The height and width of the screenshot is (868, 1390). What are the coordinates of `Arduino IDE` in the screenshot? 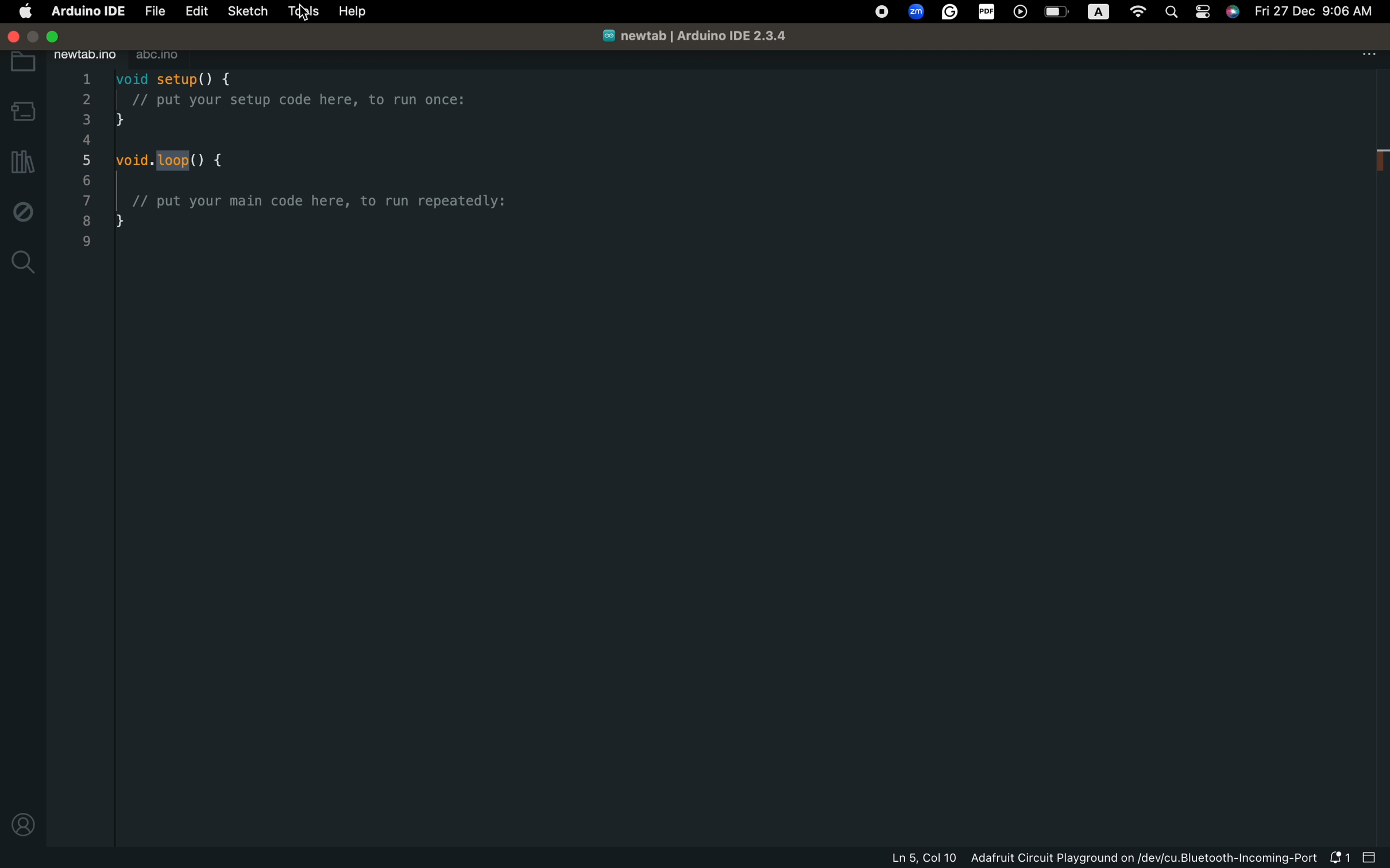 It's located at (86, 11).